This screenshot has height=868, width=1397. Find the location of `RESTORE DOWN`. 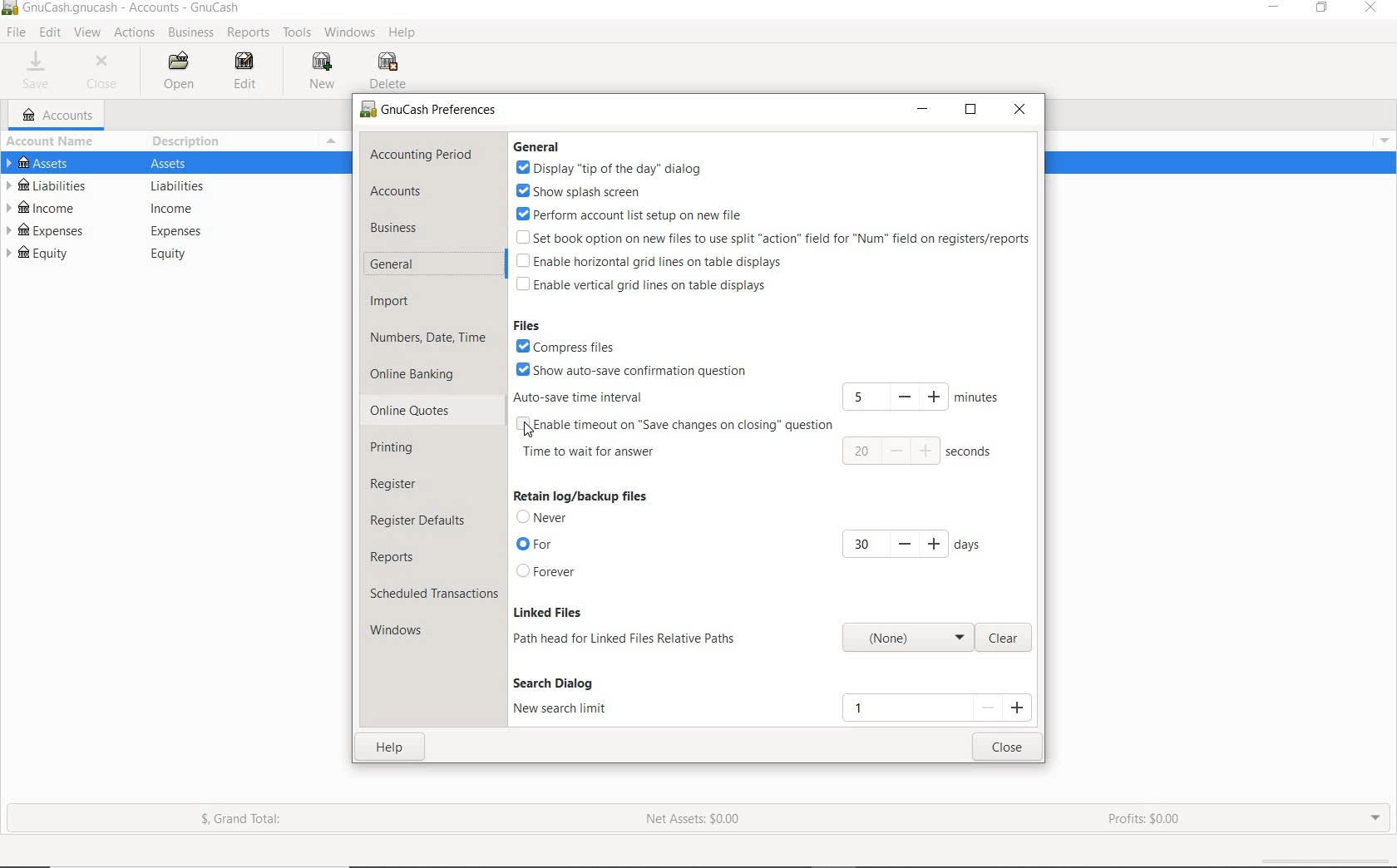

RESTORE DOWN is located at coordinates (970, 111).